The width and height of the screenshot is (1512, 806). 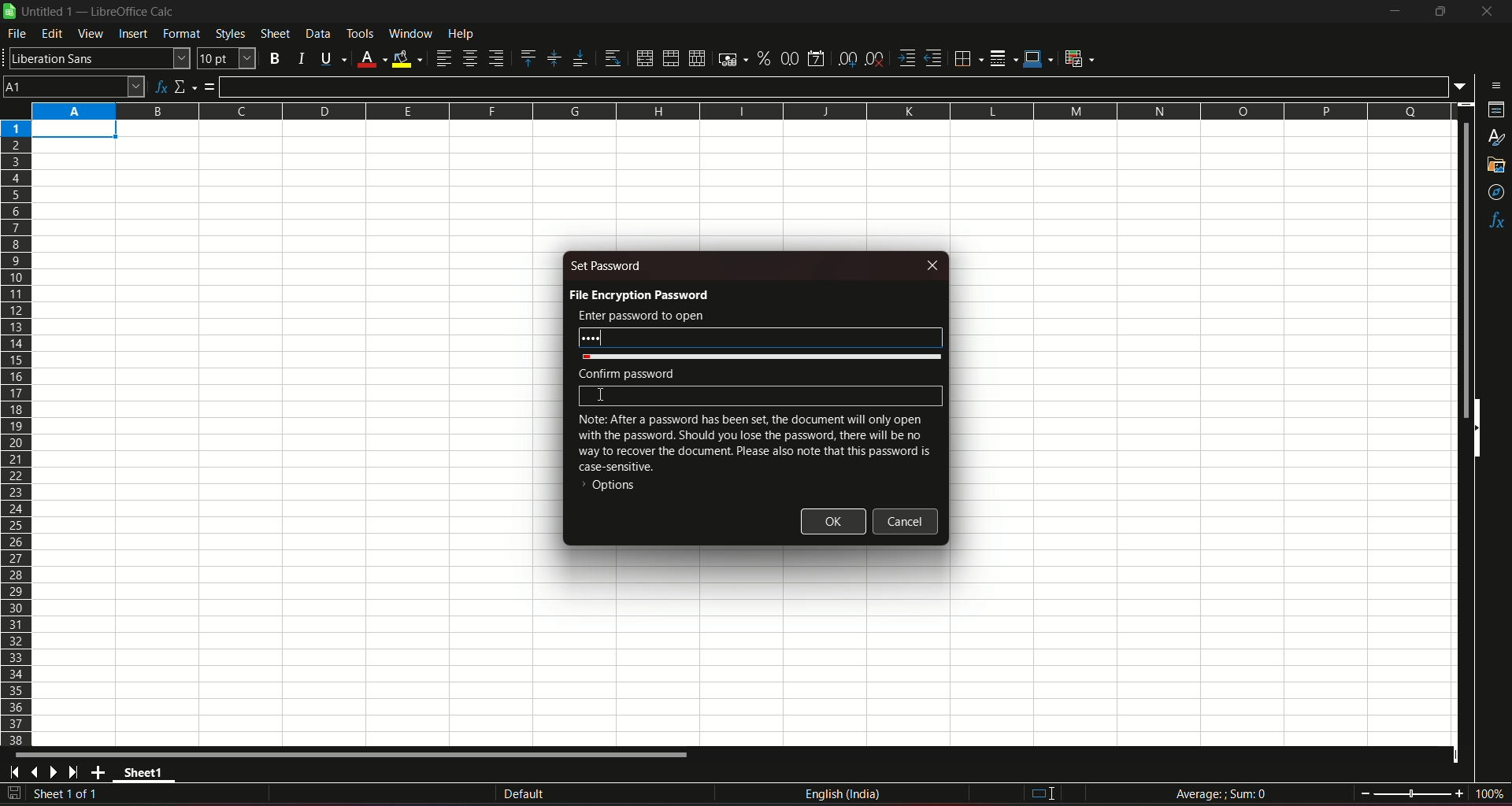 What do you see at coordinates (133, 35) in the screenshot?
I see `insert` at bounding box center [133, 35].